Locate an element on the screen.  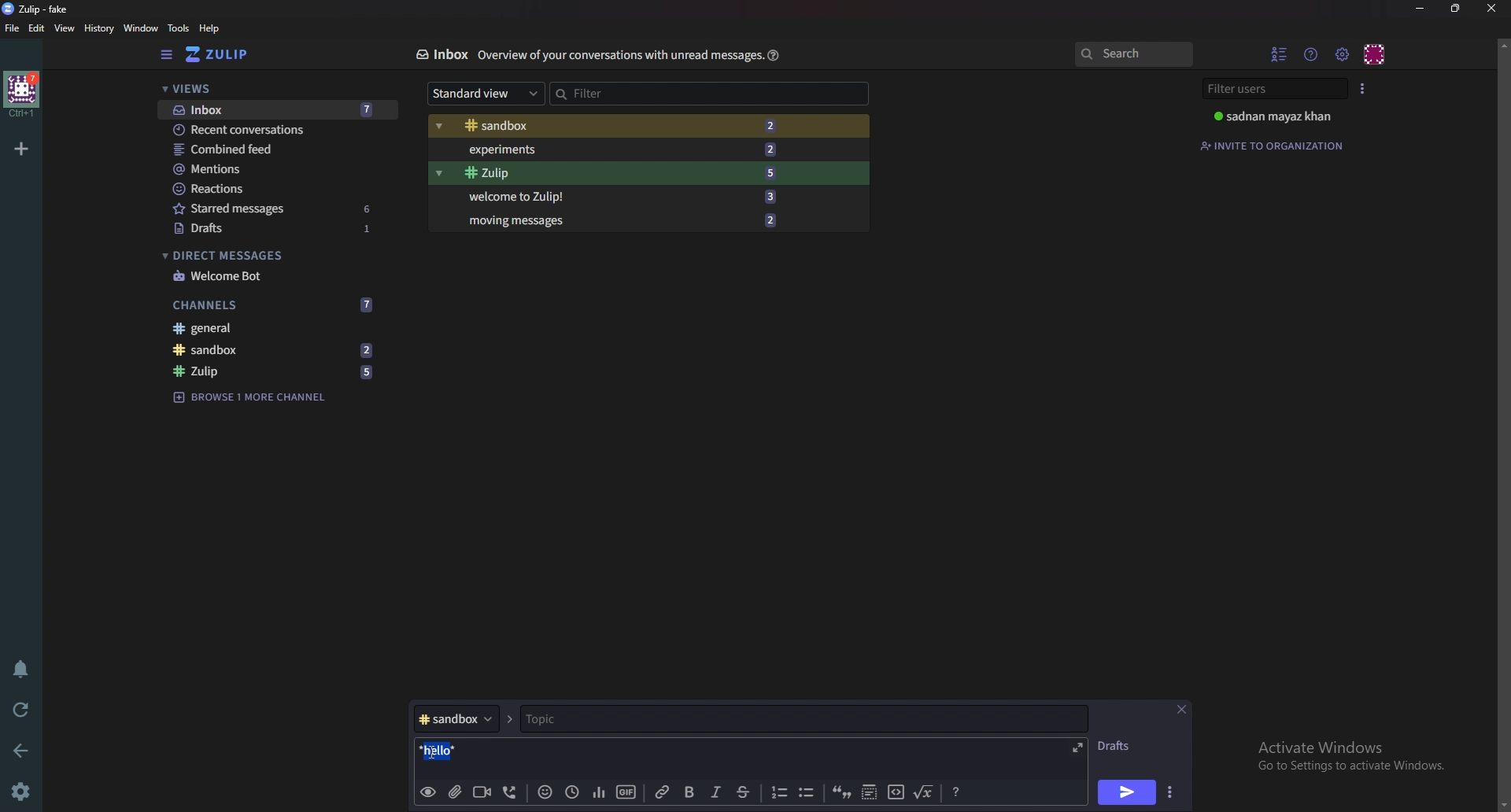
Recent conversations is located at coordinates (271, 128).